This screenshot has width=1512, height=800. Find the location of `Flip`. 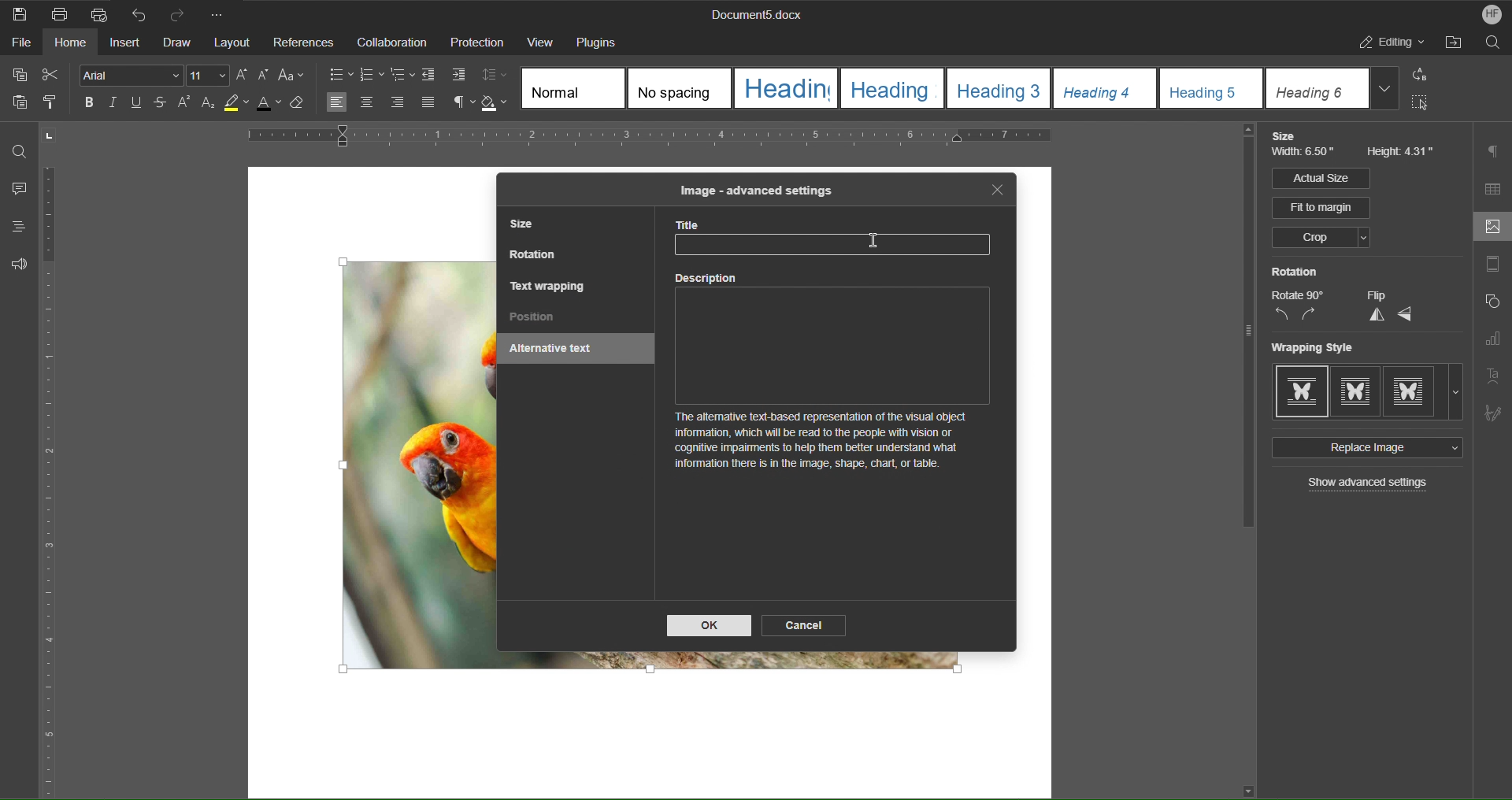

Flip is located at coordinates (1376, 295).